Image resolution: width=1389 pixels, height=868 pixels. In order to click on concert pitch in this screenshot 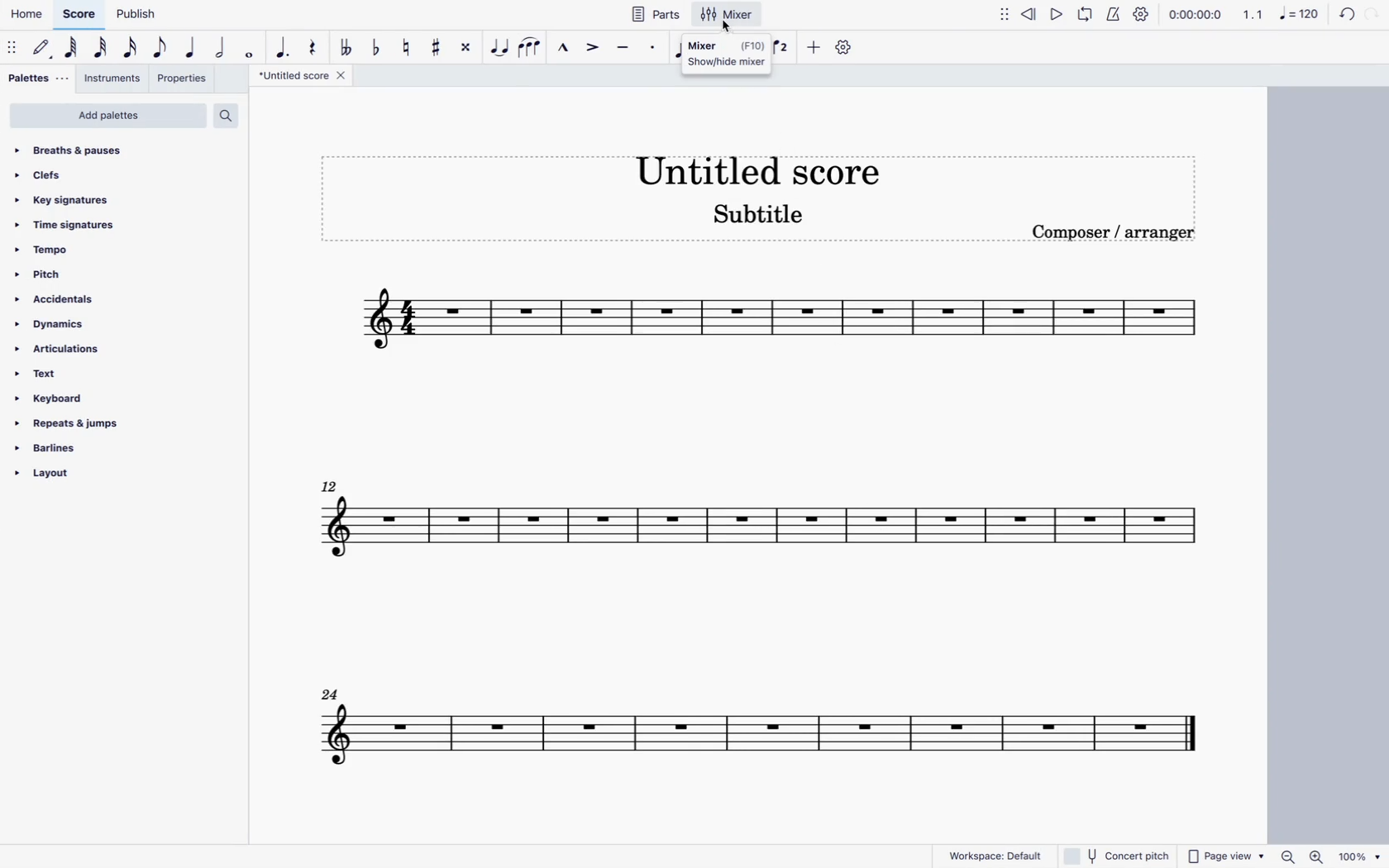, I will do `click(1115, 855)`.